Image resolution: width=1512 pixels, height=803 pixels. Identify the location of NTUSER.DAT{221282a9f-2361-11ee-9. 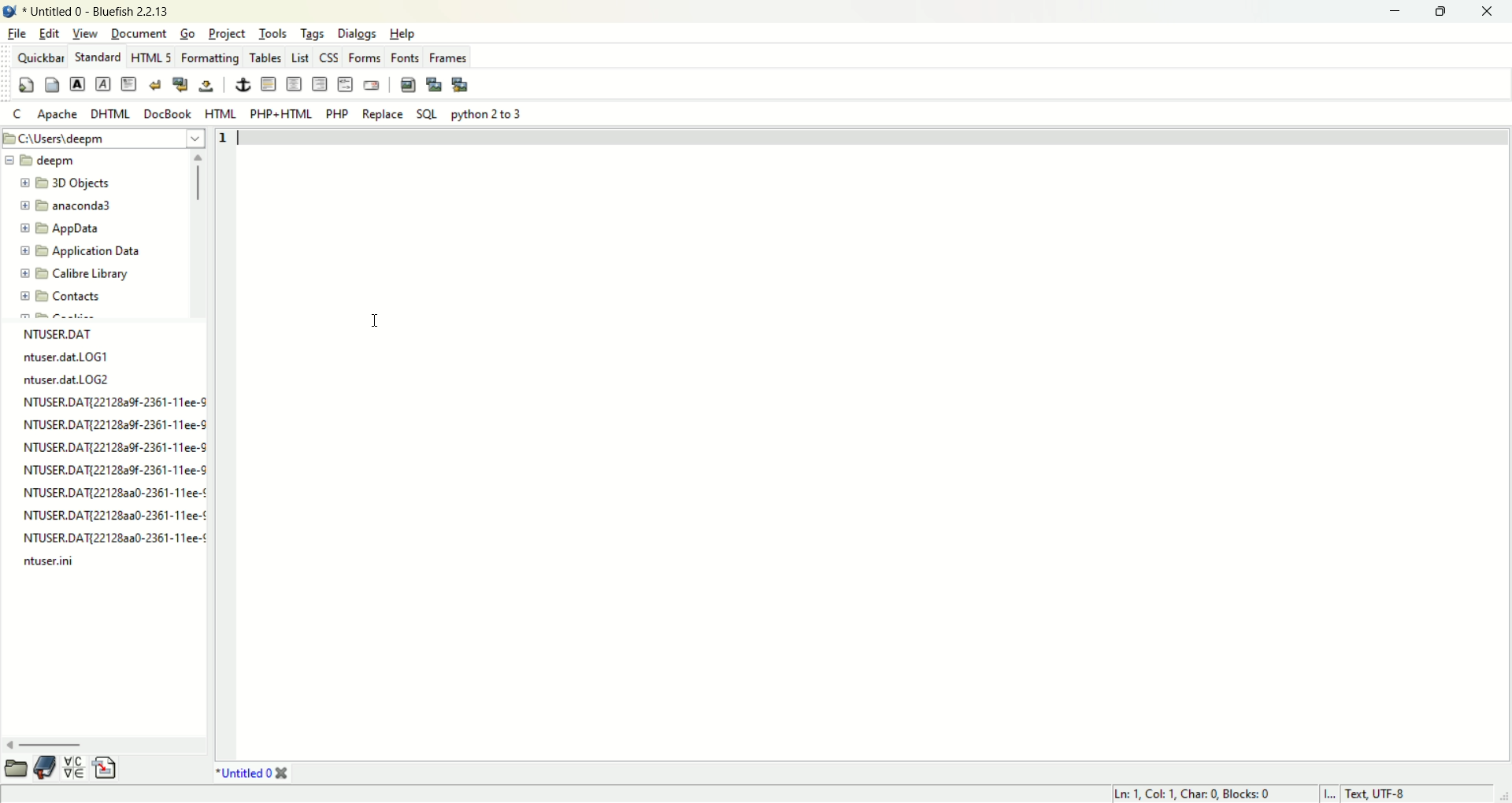
(117, 468).